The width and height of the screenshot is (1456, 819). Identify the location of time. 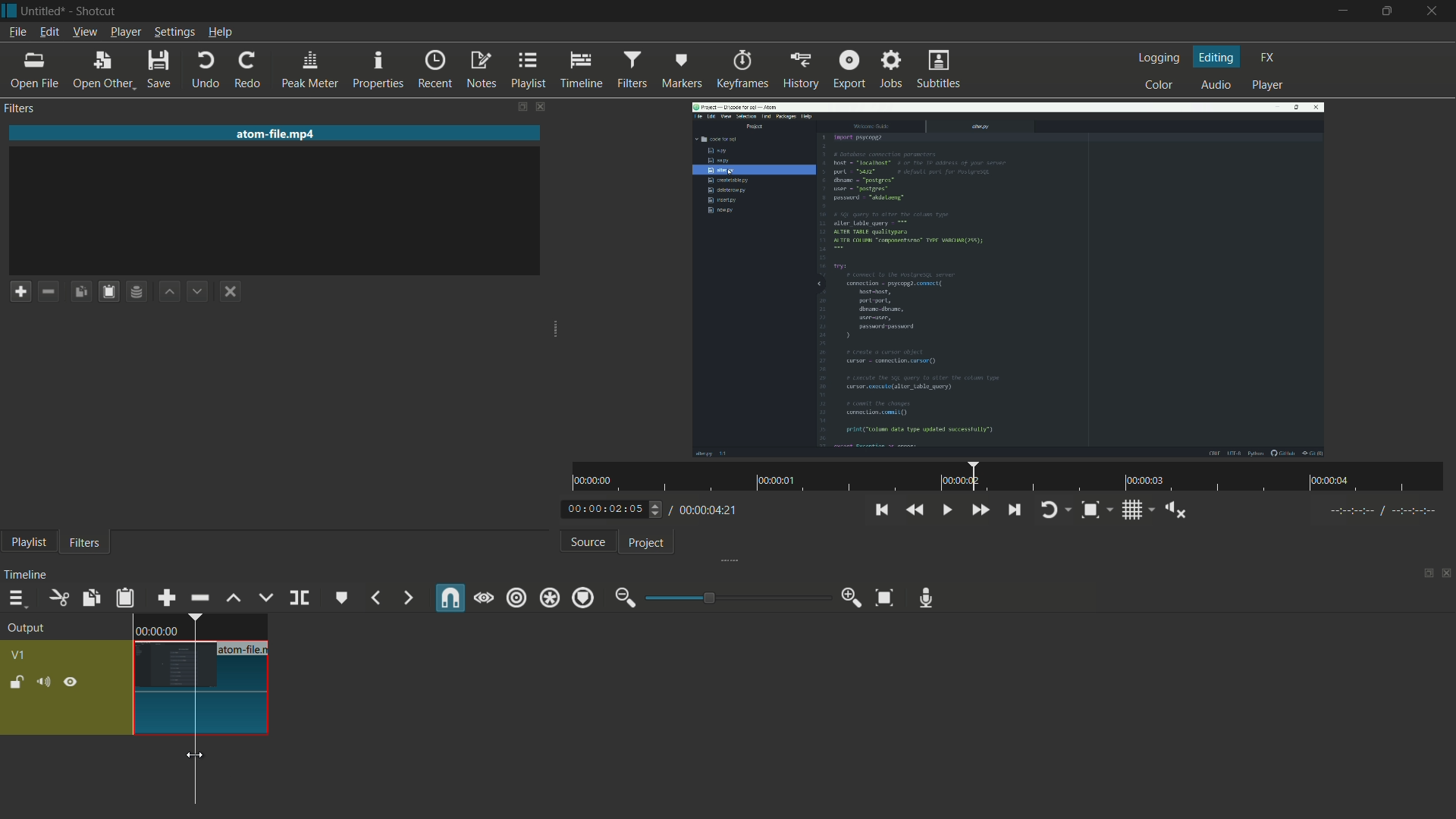
(1005, 478).